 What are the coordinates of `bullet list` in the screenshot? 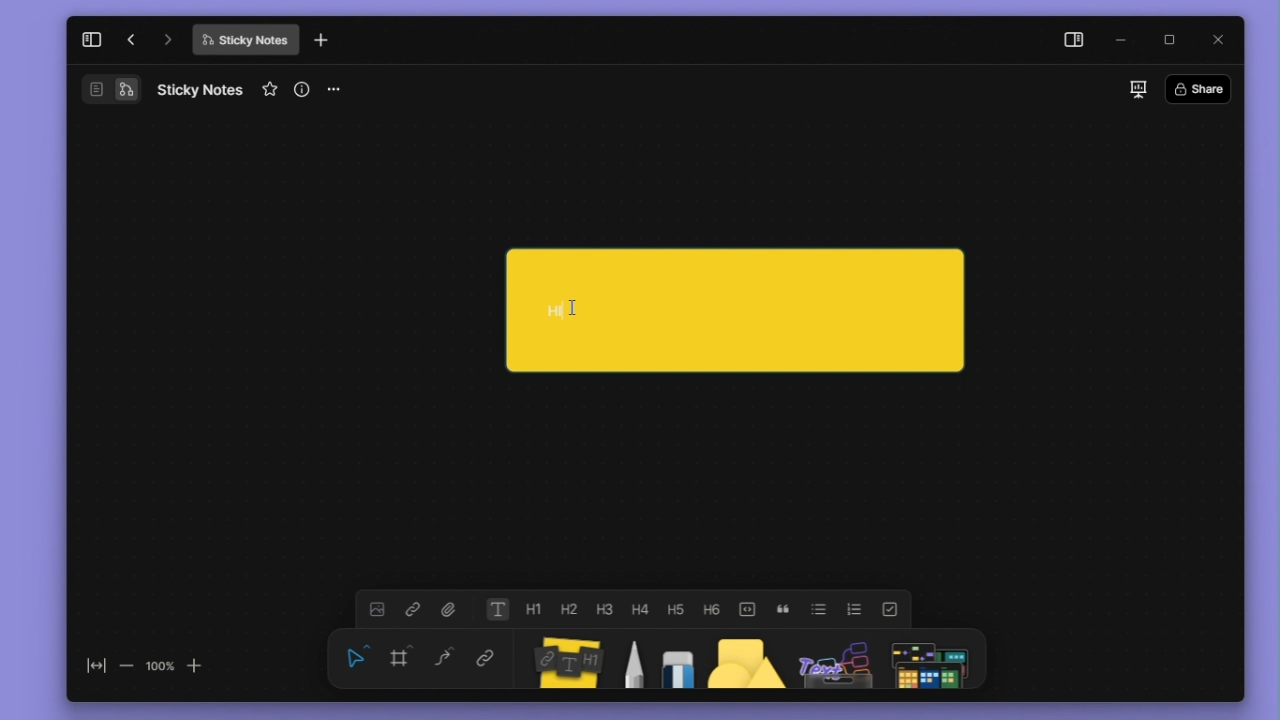 It's located at (822, 611).